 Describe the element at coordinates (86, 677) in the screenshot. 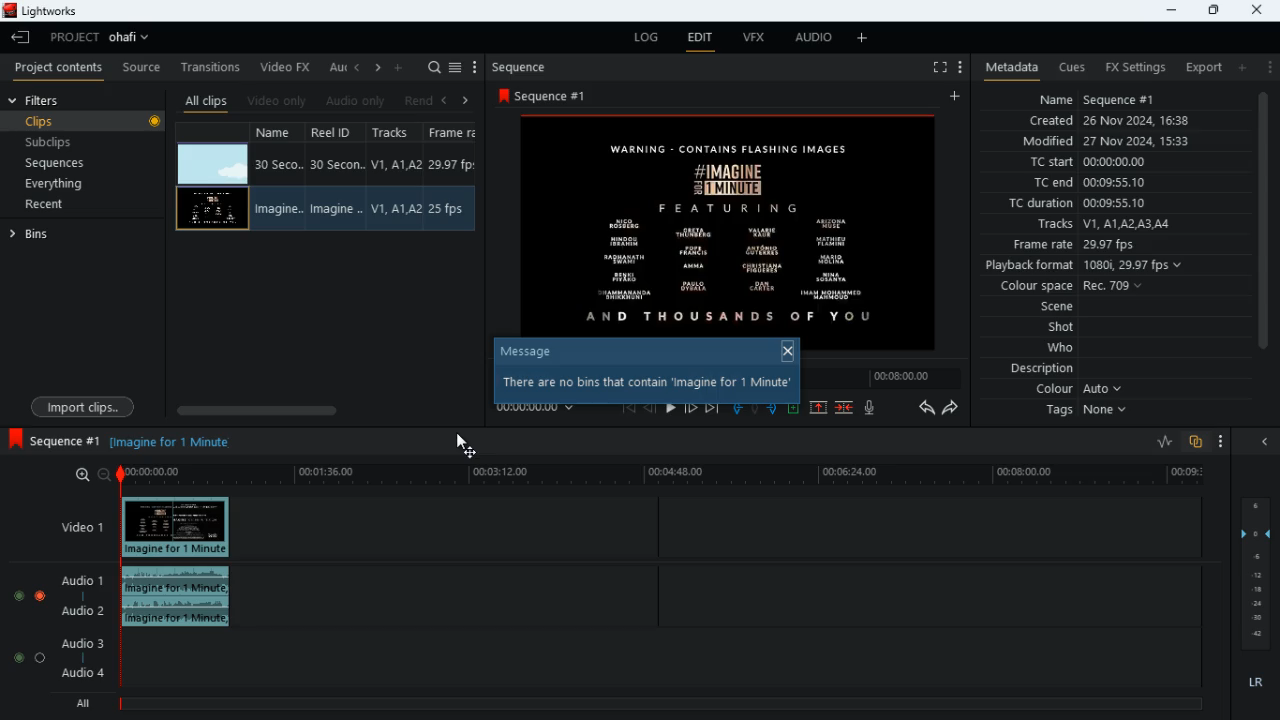

I see `audio 4` at that location.